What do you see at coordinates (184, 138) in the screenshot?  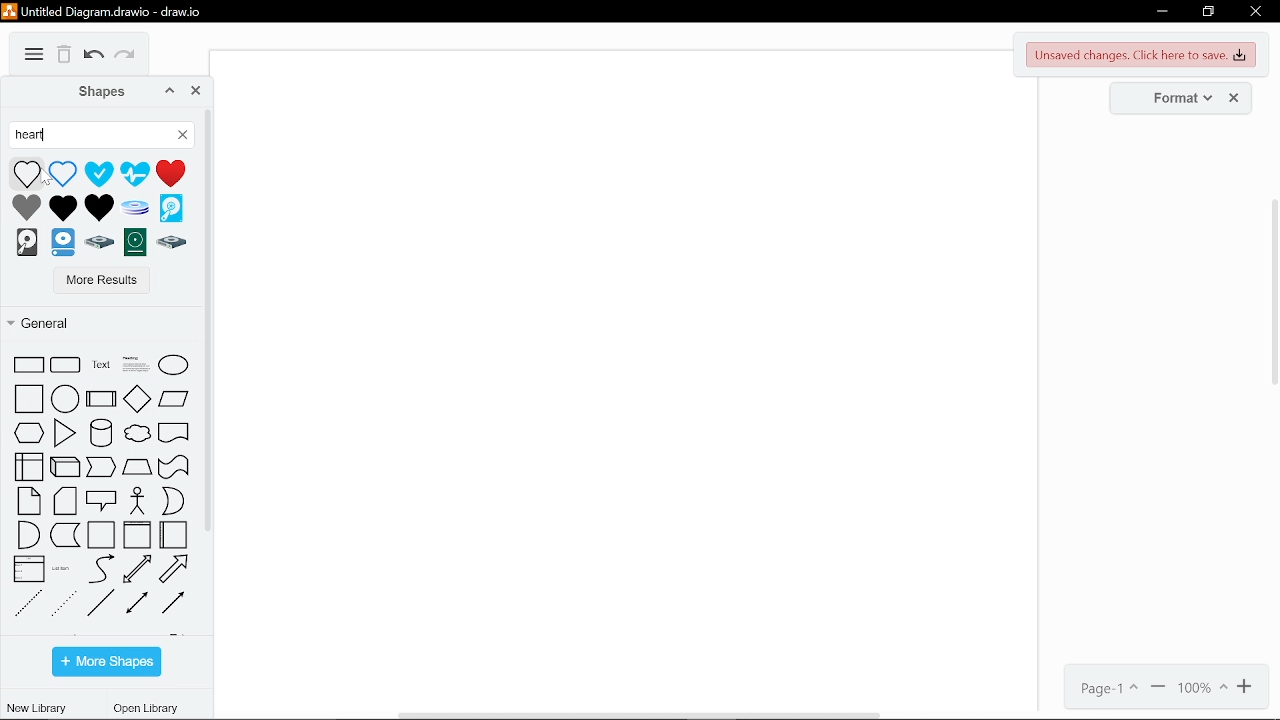 I see `clear` at bounding box center [184, 138].